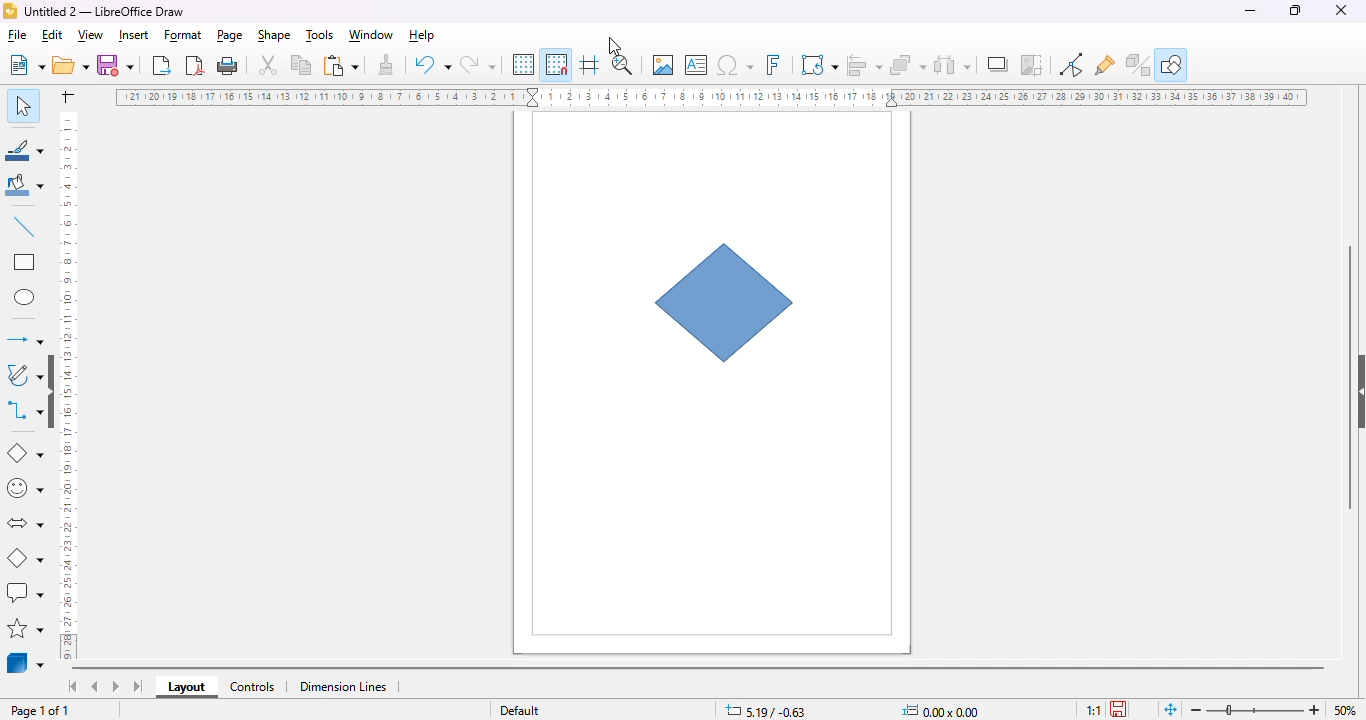 Image resolution: width=1366 pixels, height=720 pixels. What do you see at coordinates (231, 36) in the screenshot?
I see `page` at bounding box center [231, 36].